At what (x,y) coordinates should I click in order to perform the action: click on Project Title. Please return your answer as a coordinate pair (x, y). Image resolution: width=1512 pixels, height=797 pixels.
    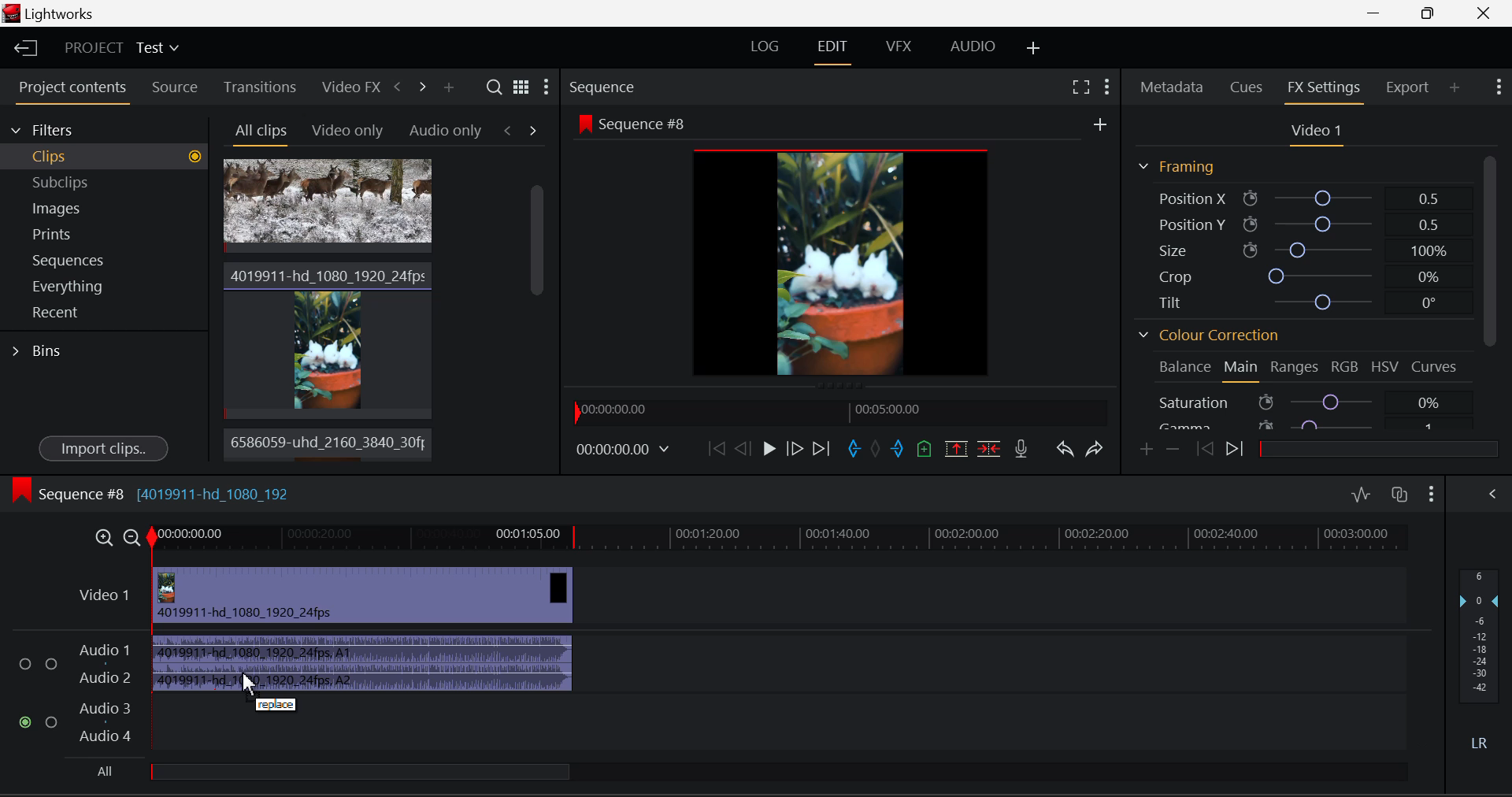
    Looking at the image, I should click on (120, 48).